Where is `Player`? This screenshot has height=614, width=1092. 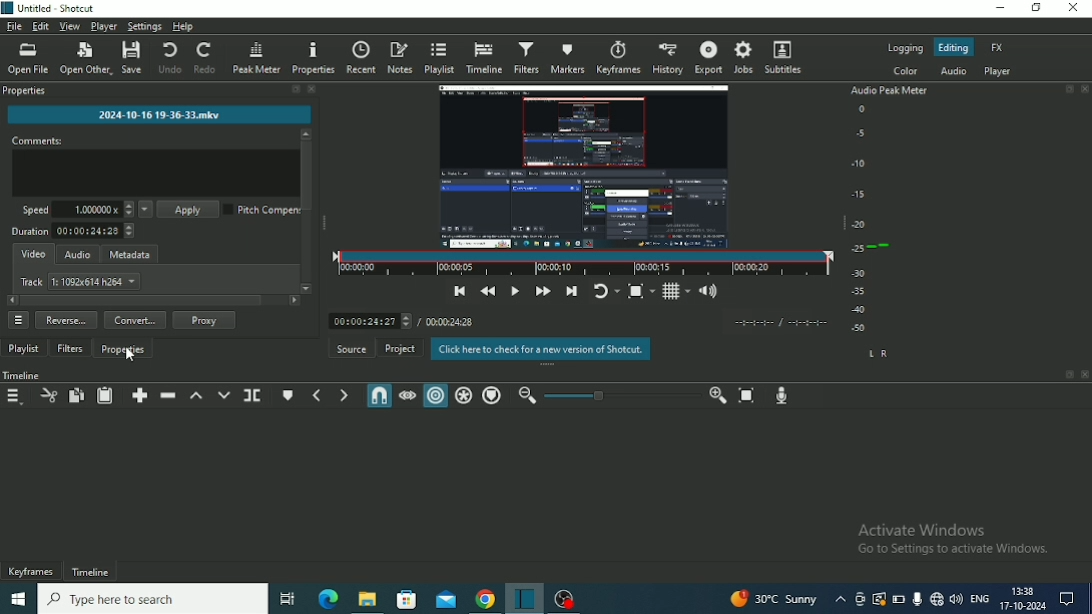 Player is located at coordinates (997, 71).